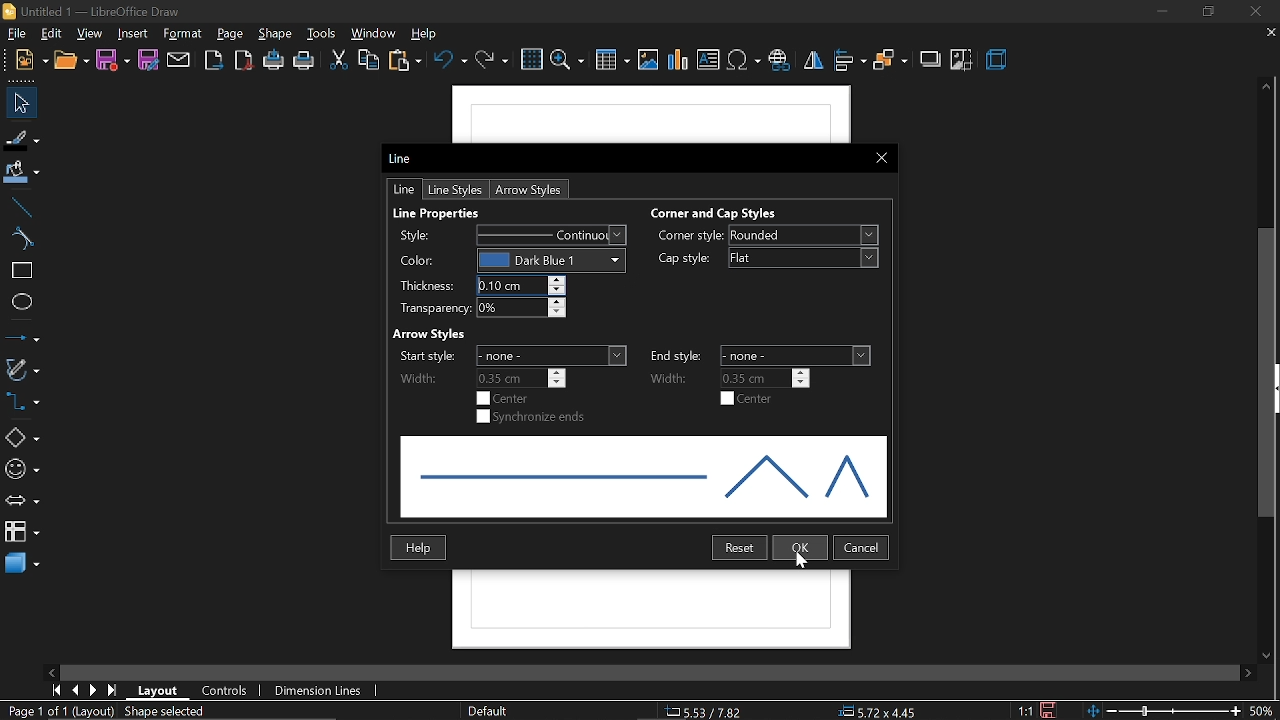 The width and height of the screenshot is (1280, 720). Describe the element at coordinates (849, 61) in the screenshot. I see `align` at that location.